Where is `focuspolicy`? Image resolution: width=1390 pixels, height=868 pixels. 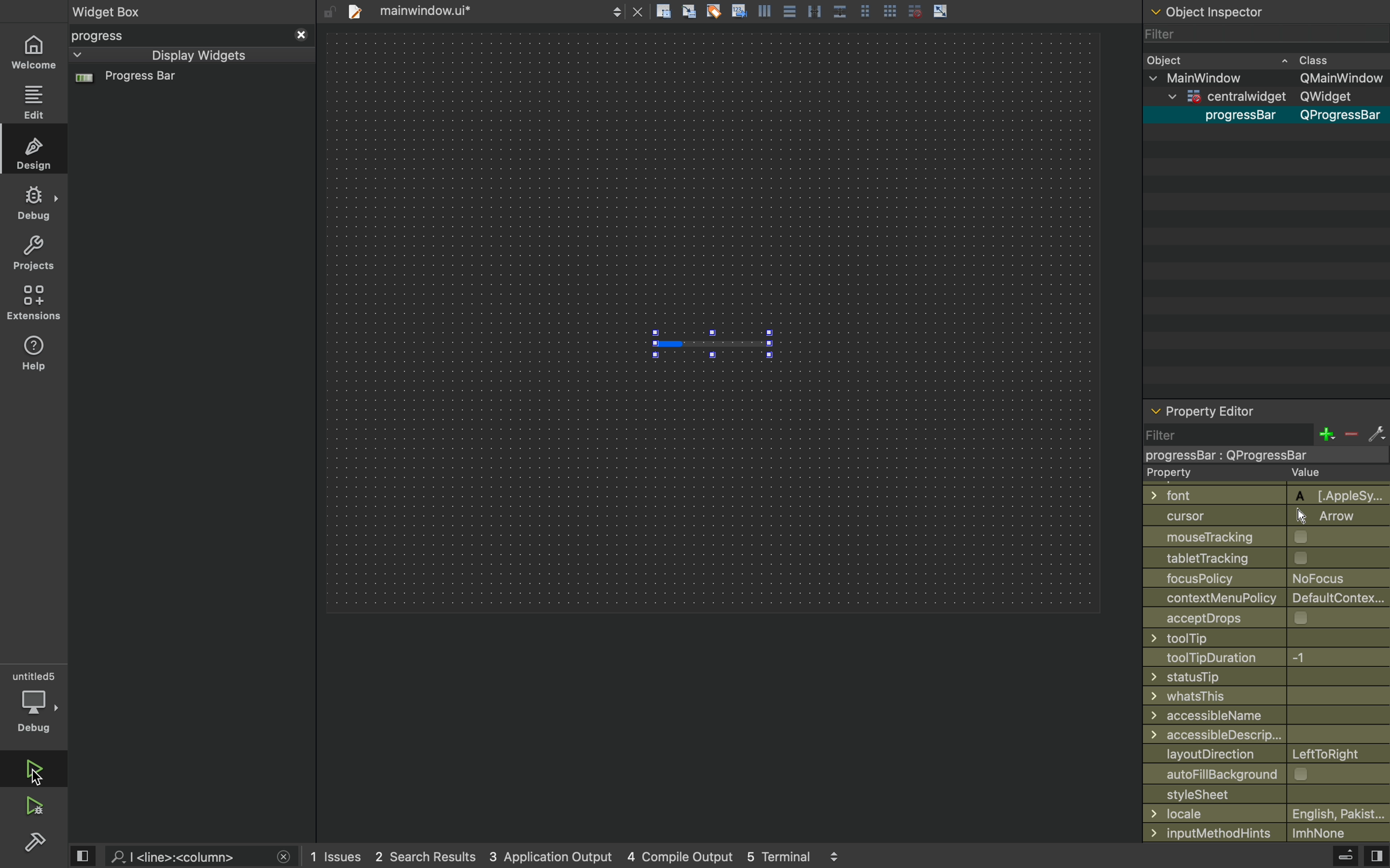 focuspolicy is located at coordinates (1257, 577).